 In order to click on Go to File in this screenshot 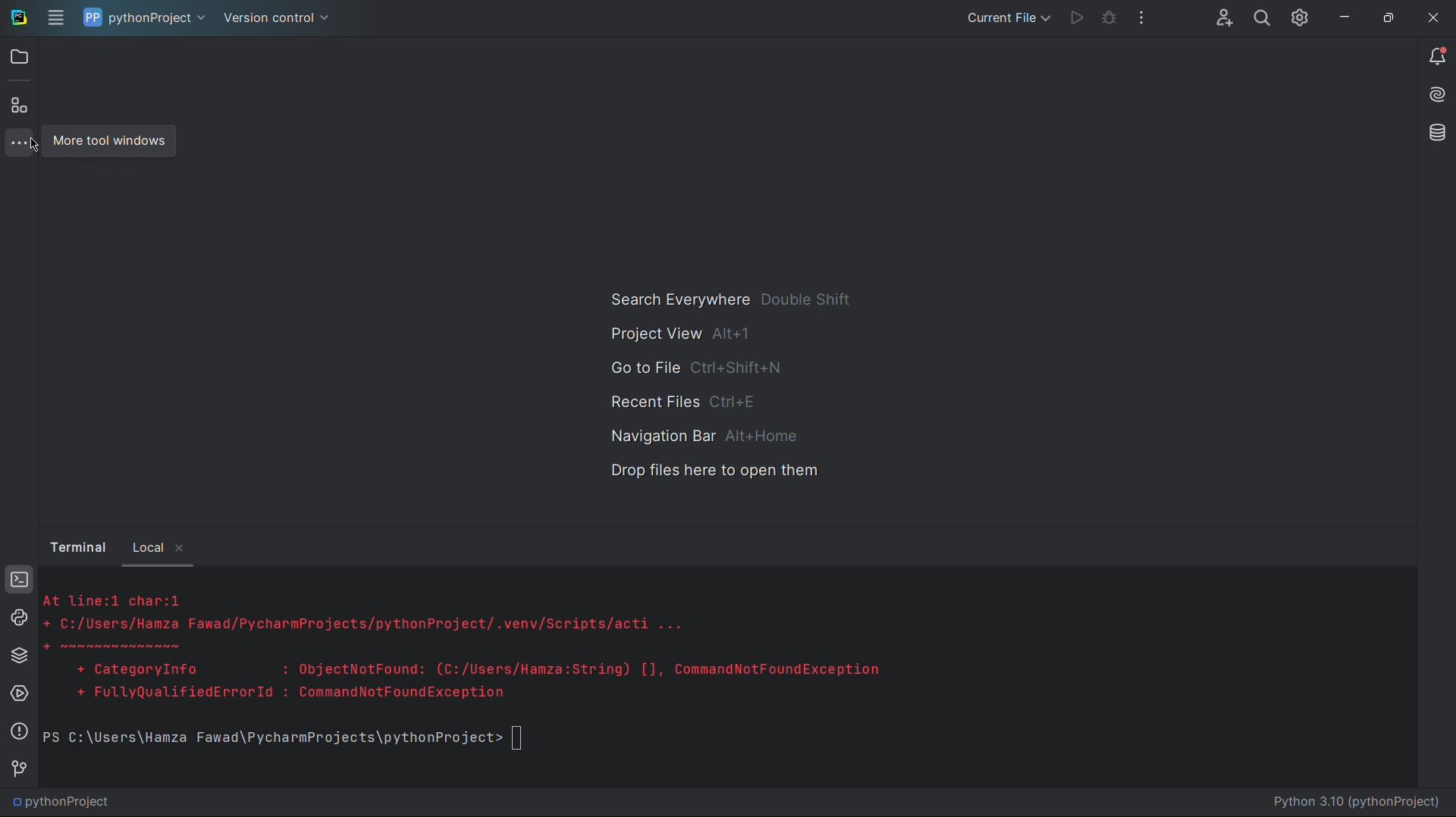, I will do `click(698, 371)`.